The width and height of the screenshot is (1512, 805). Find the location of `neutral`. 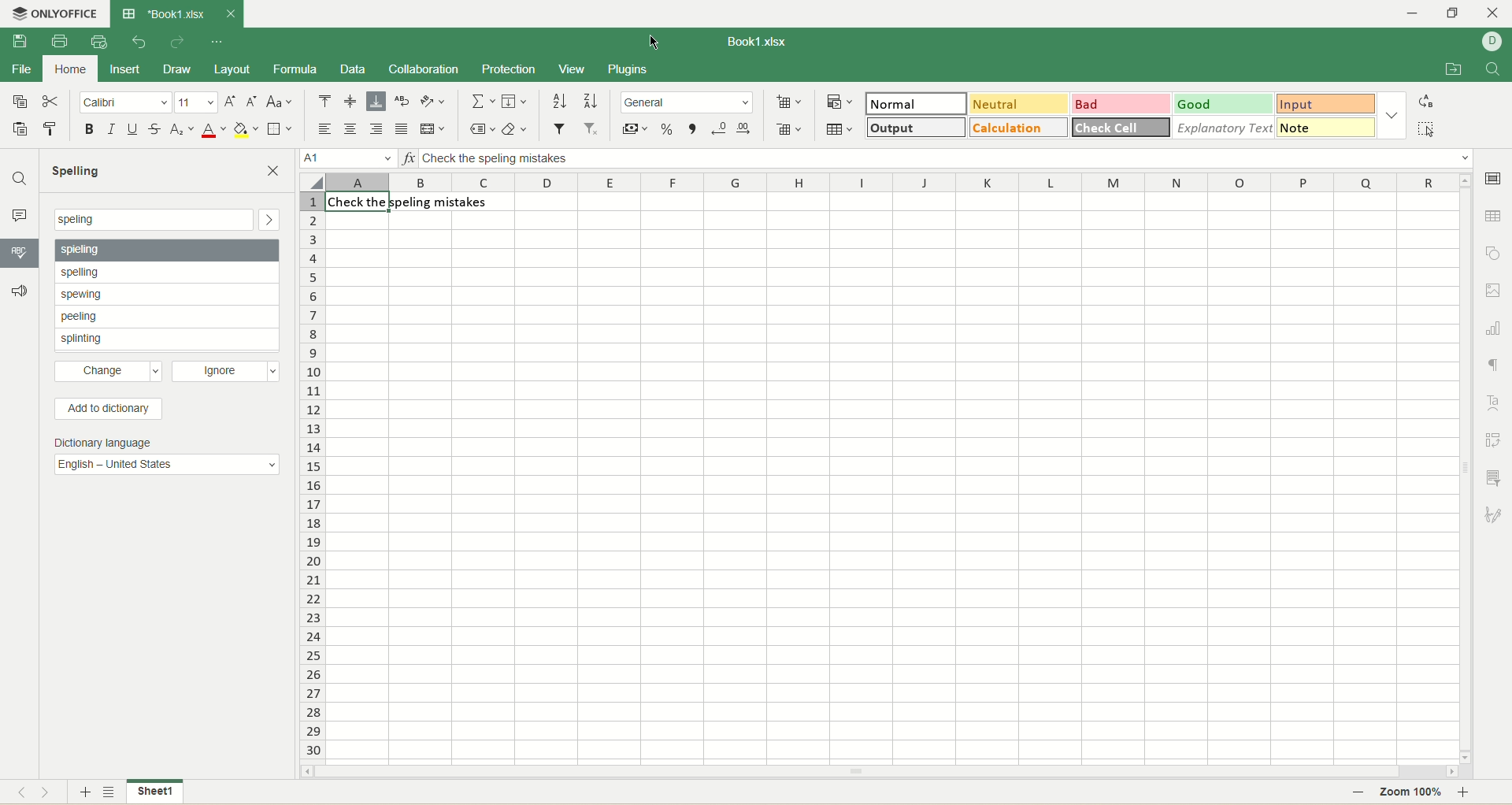

neutral is located at coordinates (1021, 105).